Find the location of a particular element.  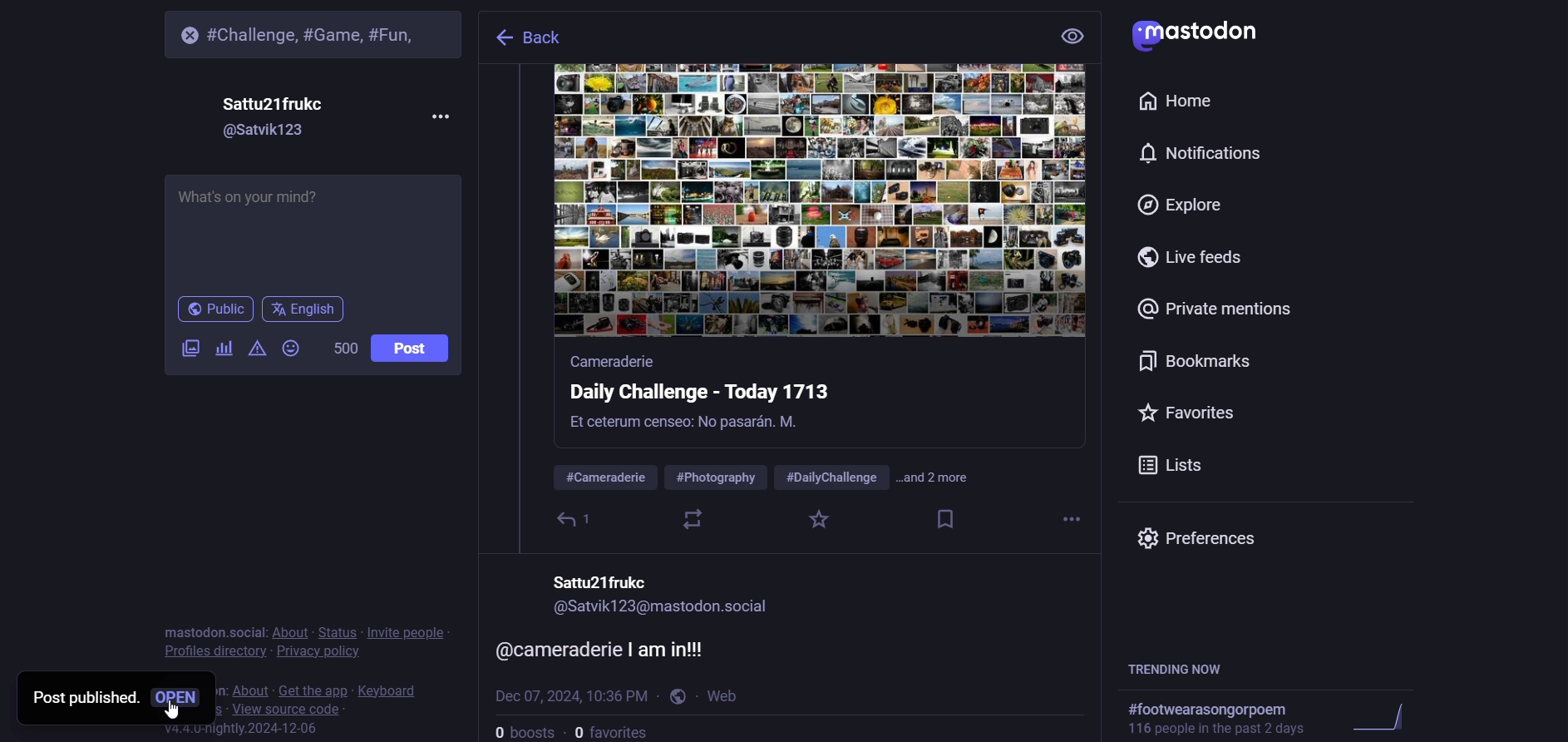

public is located at coordinates (214, 309).